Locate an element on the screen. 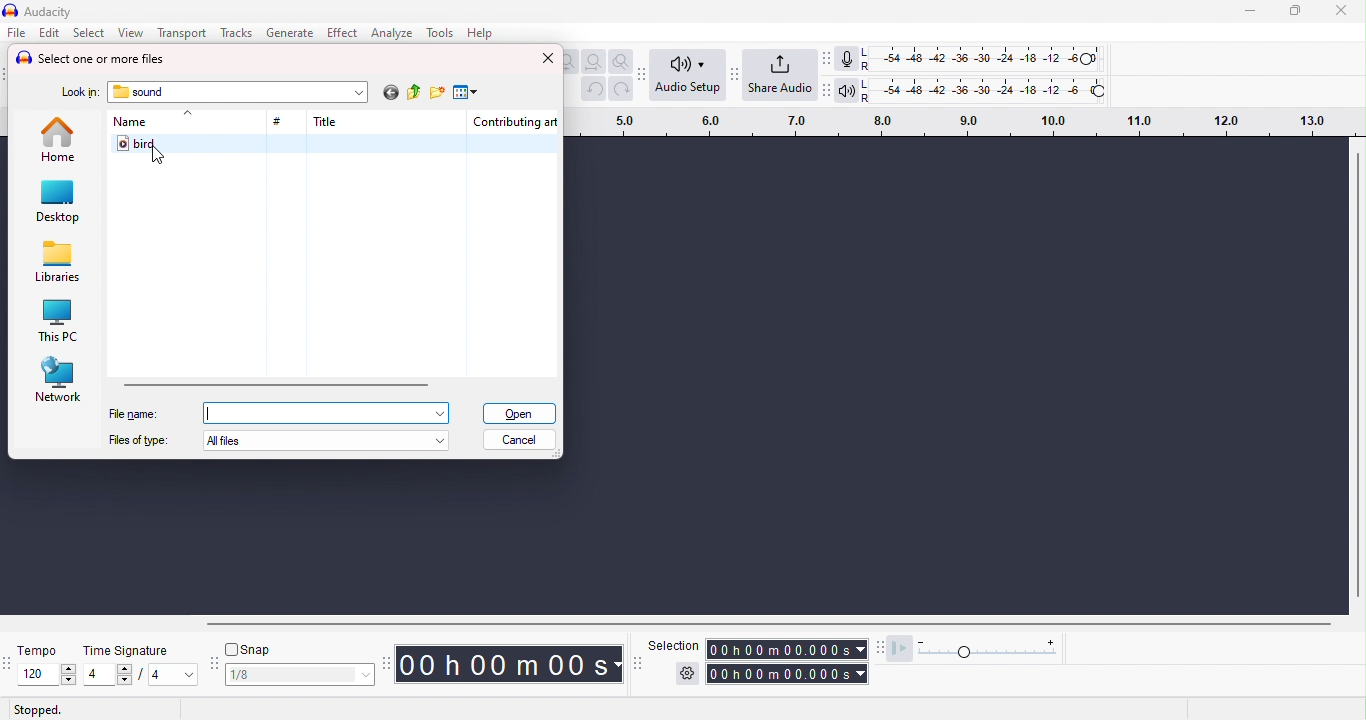 This screenshot has height=720, width=1366. select time signature is located at coordinates (141, 675).